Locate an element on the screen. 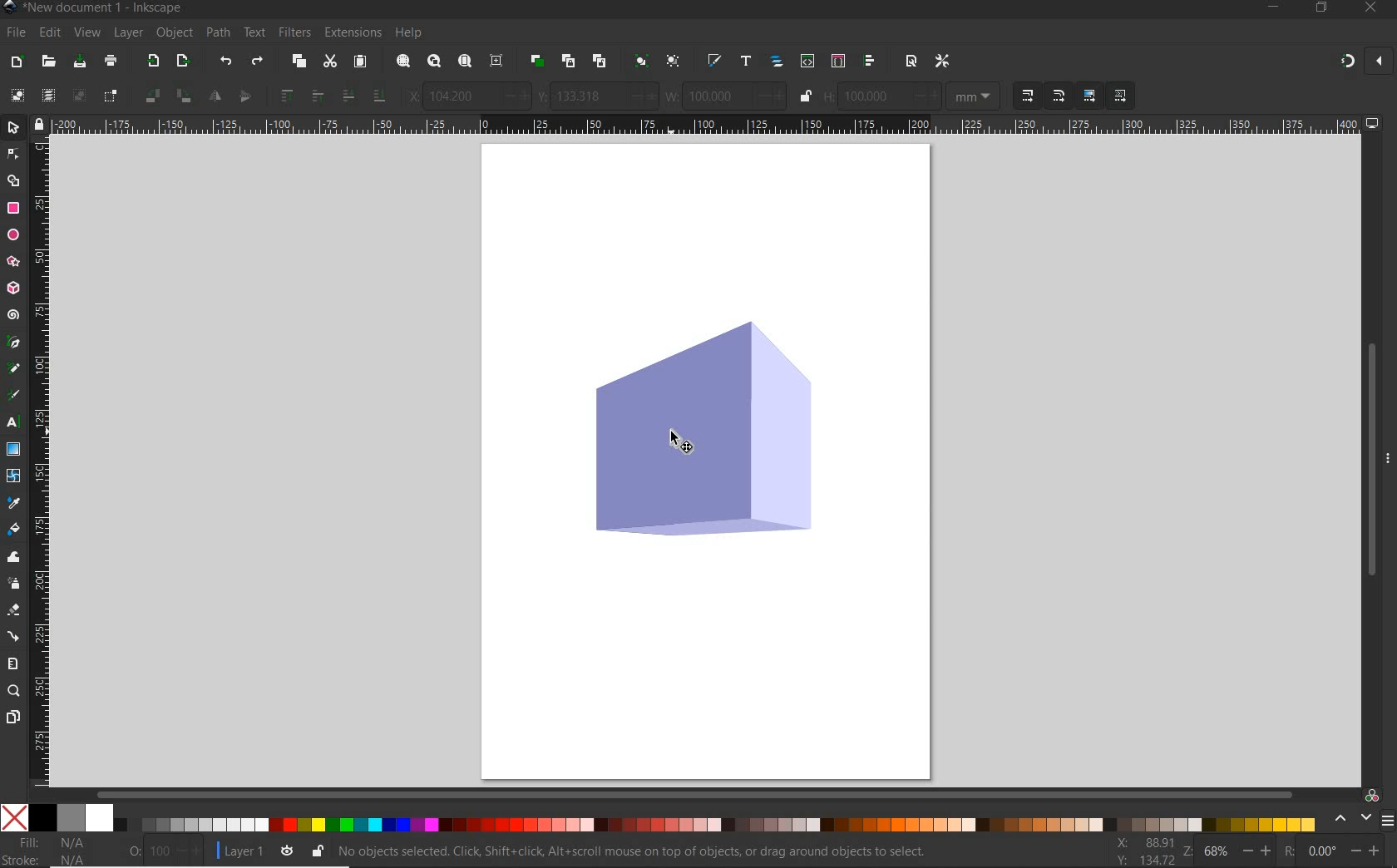 Image resolution: width=1397 pixels, height=868 pixels. RAISE SELECTION is located at coordinates (313, 97).